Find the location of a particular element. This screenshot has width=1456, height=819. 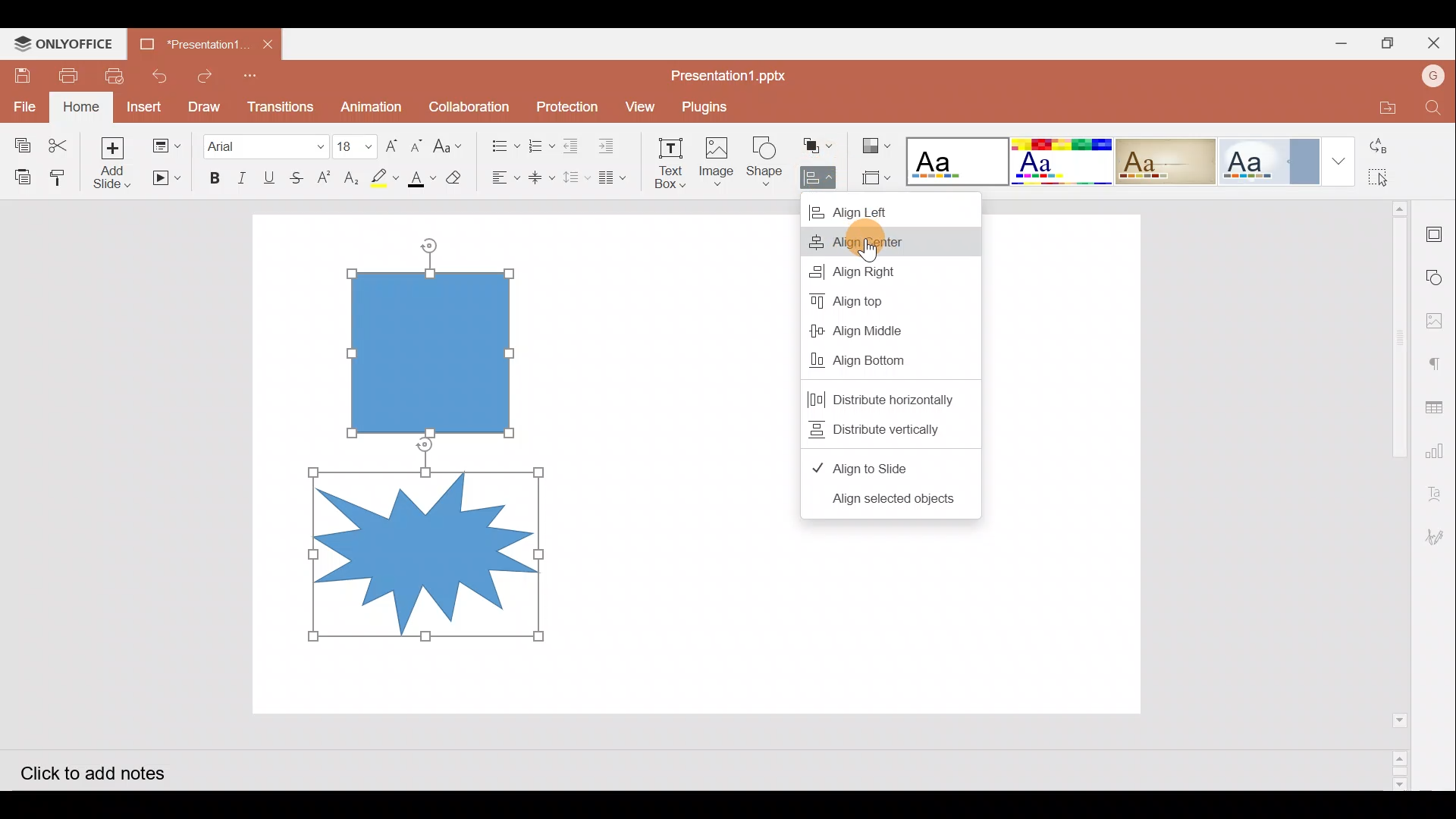

Draw is located at coordinates (205, 105).